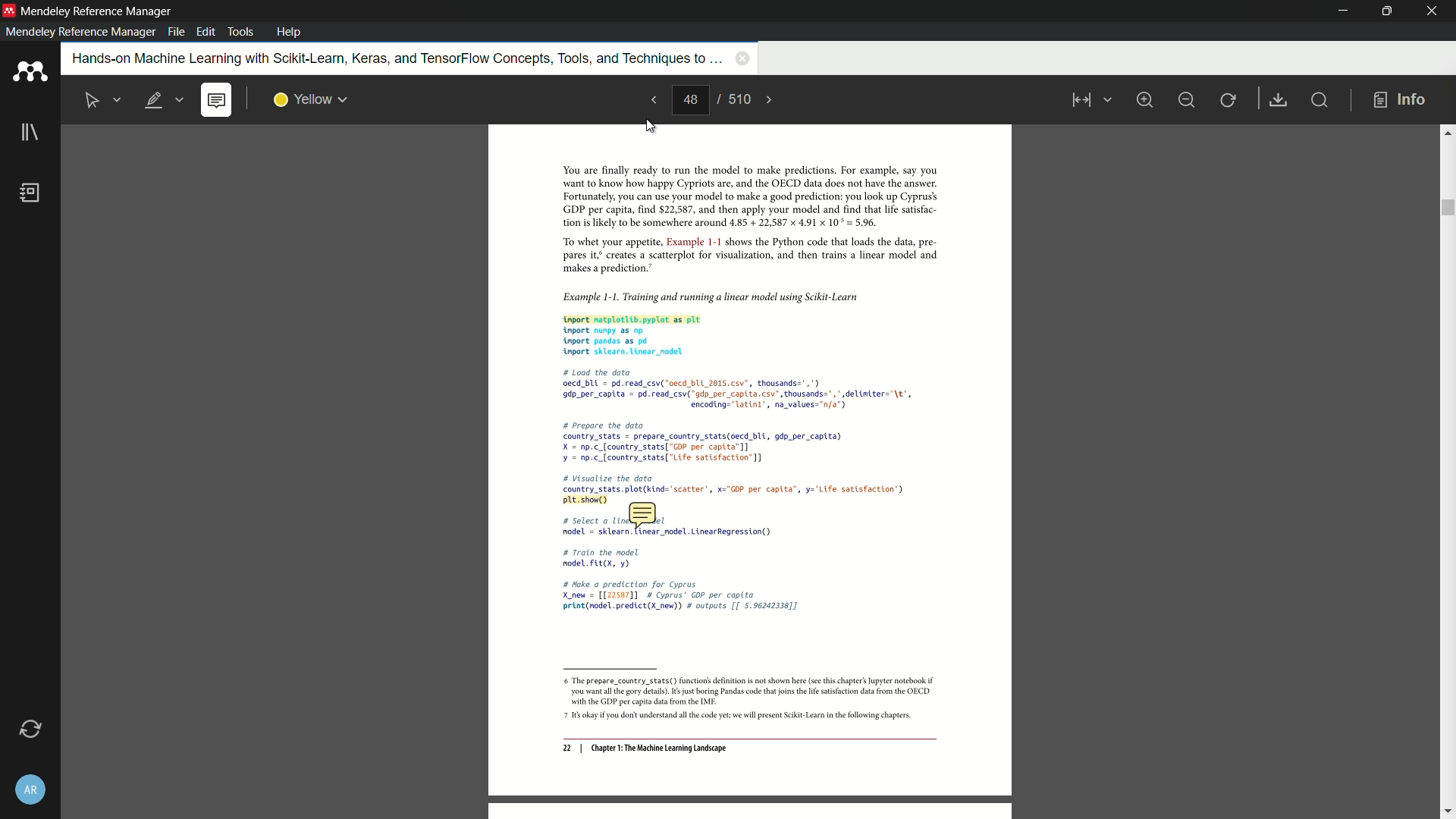  I want to click on # Load the data

Oecd bUL = pd. read_csv("oecd_bLL_2015.csv”, thousands=",")

9dp_per_captta = pd.read_csv("adp_per capita. csv’, thousands=",* delintter="\t',
encodtng="latint’, na_values="n/a")

# prepare the data

country_stats = prepare_country_stats(oecd_bl{, gdp_per capita)

X = np.c_[country_stats[ “Go? per capita]

¥ = 0p.c_[country_stats[ "Life satisfaction]

# Visualize the dota

country_stats.plot(kind="scatter', x="DP per capita”, y='Life satisfaction’)

preside, so click(742, 433).